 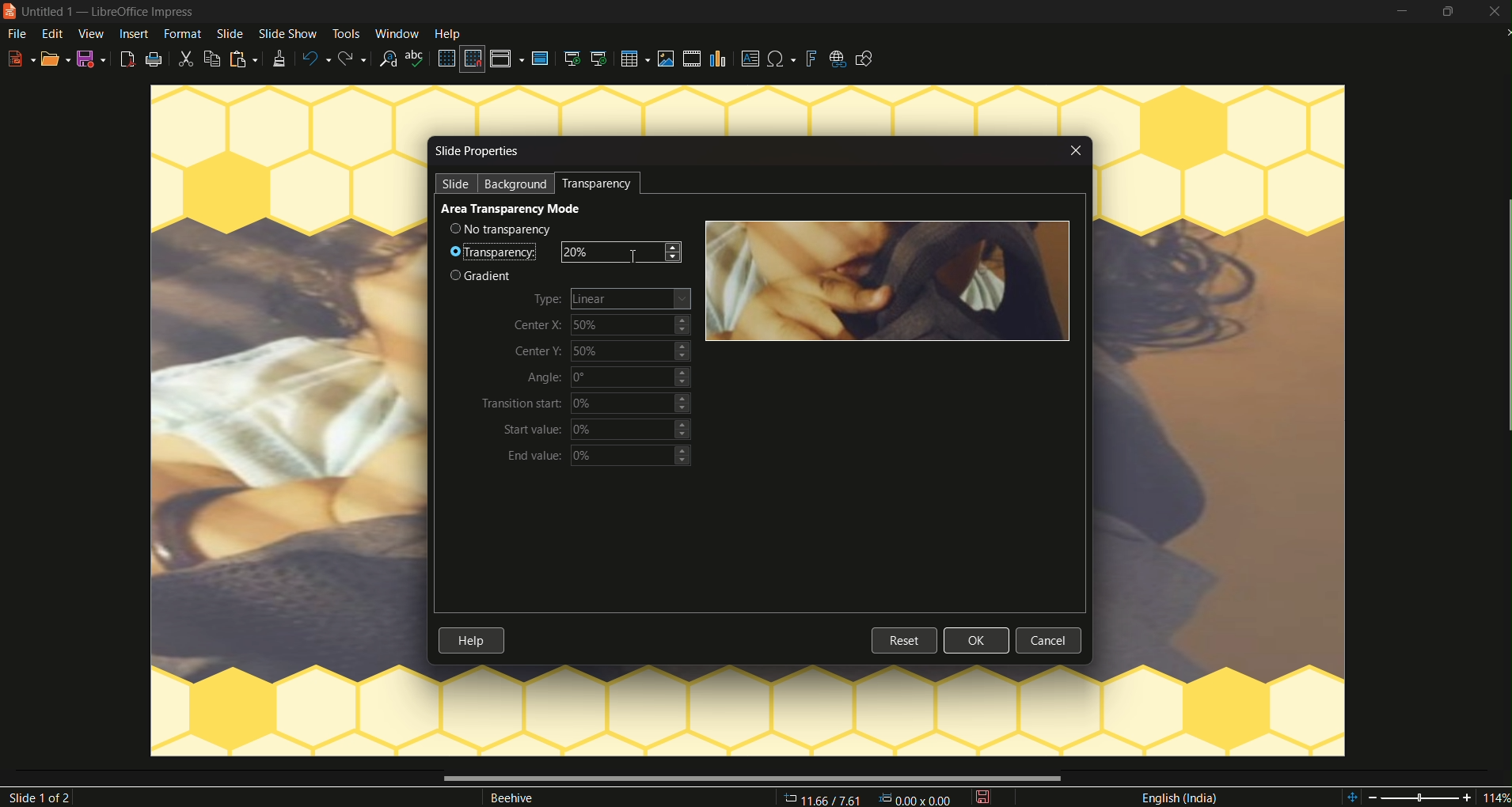 I want to click on insert textbox, so click(x=750, y=58).